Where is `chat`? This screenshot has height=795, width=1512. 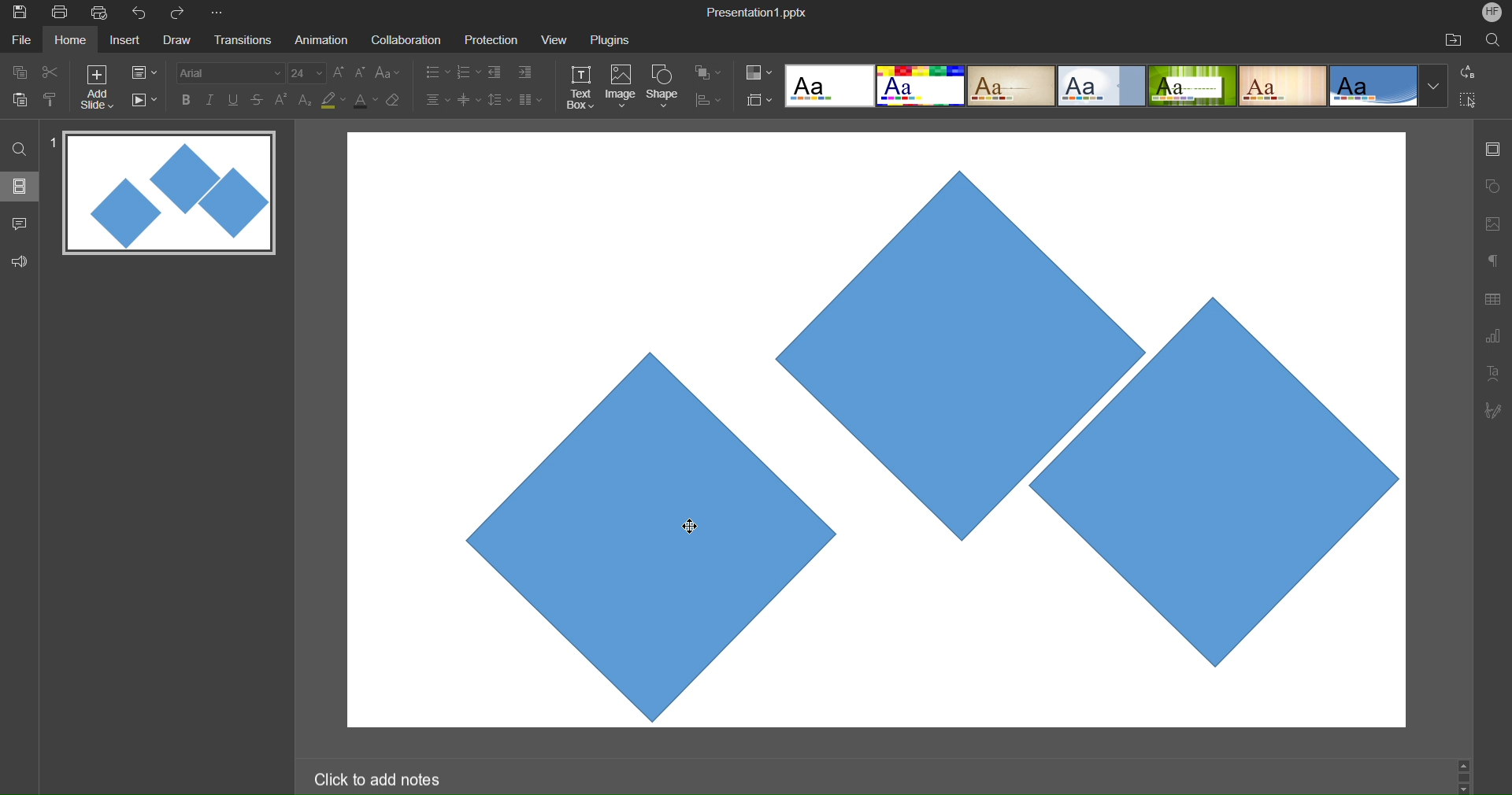
chat is located at coordinates (21, 221).